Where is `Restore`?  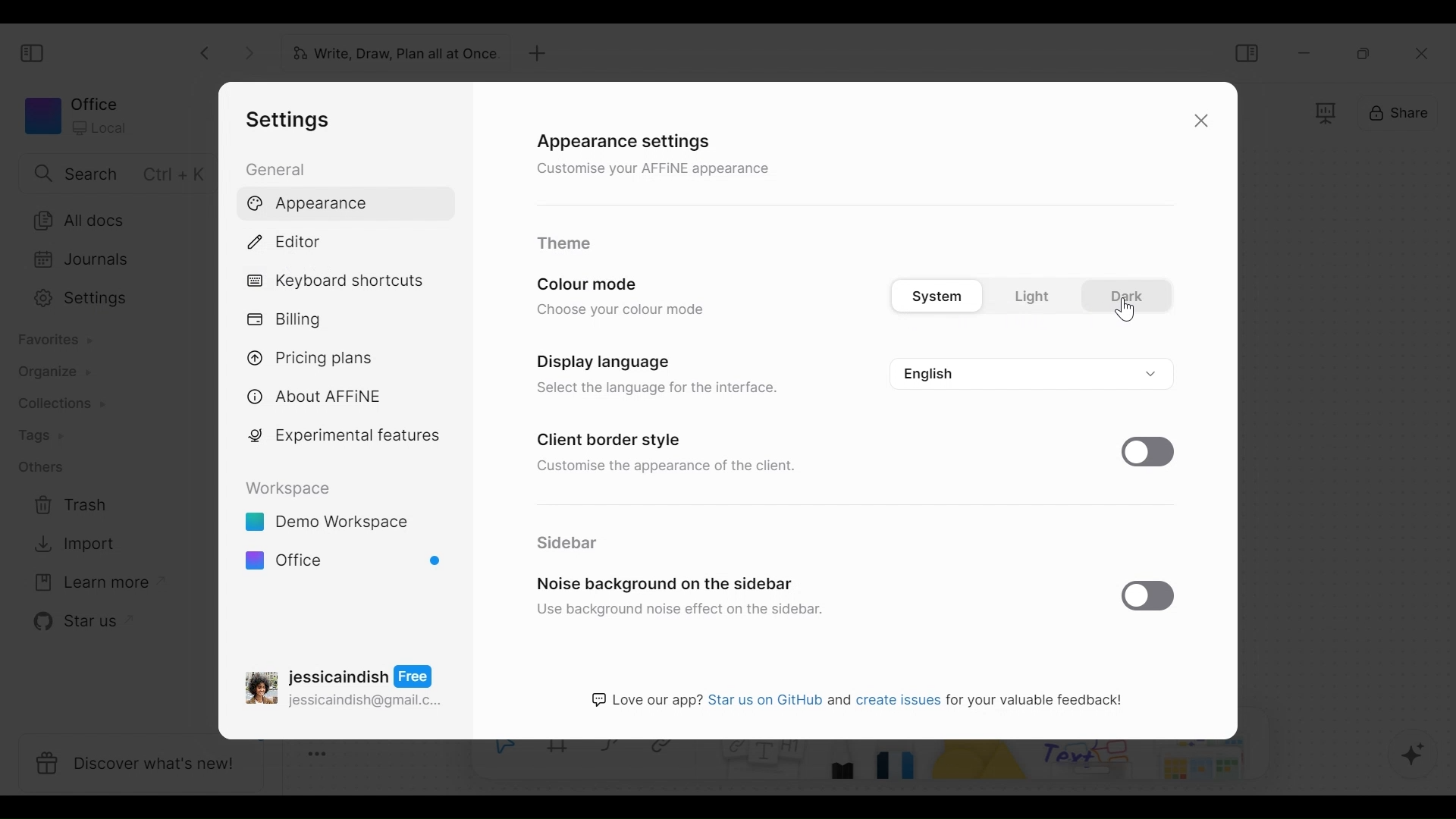
Restore is located at coordinates (1364, 51).